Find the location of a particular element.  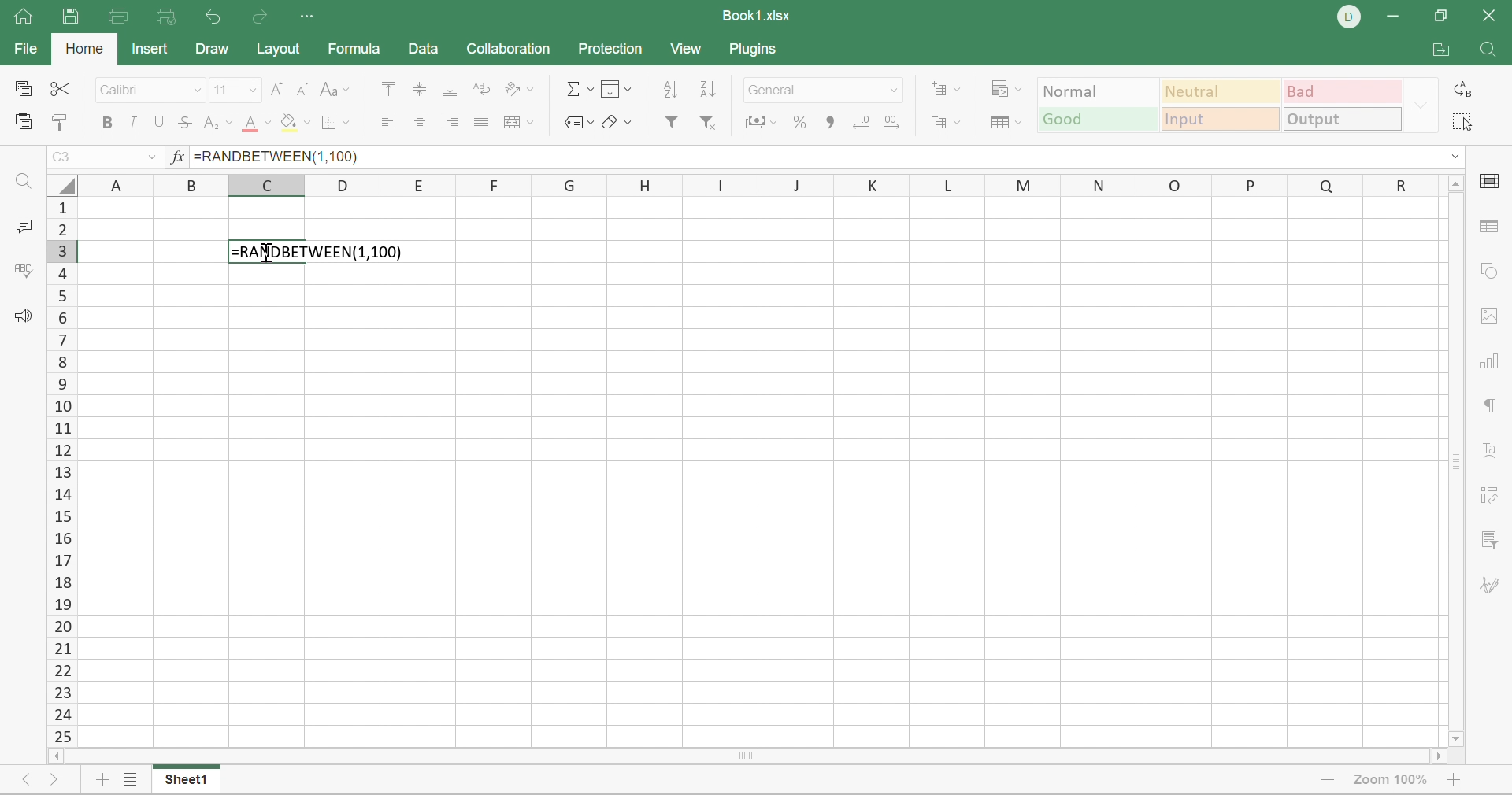

Home is located at coordinates (20, 15).